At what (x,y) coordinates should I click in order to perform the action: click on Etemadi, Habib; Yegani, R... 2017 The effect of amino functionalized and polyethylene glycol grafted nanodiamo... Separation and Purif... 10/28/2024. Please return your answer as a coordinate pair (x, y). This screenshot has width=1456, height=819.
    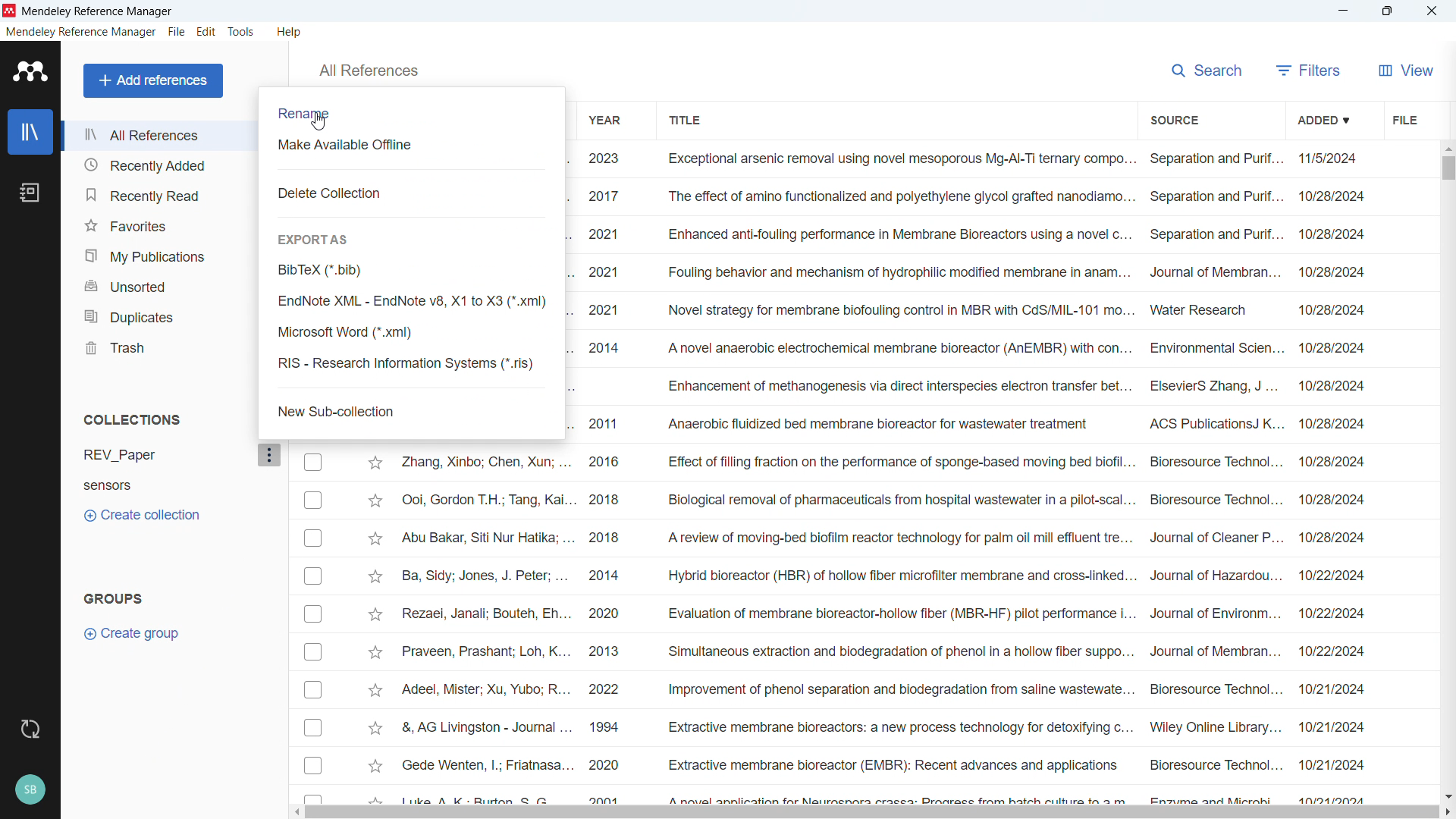
    Looking at the image, I should click on (968, 196).